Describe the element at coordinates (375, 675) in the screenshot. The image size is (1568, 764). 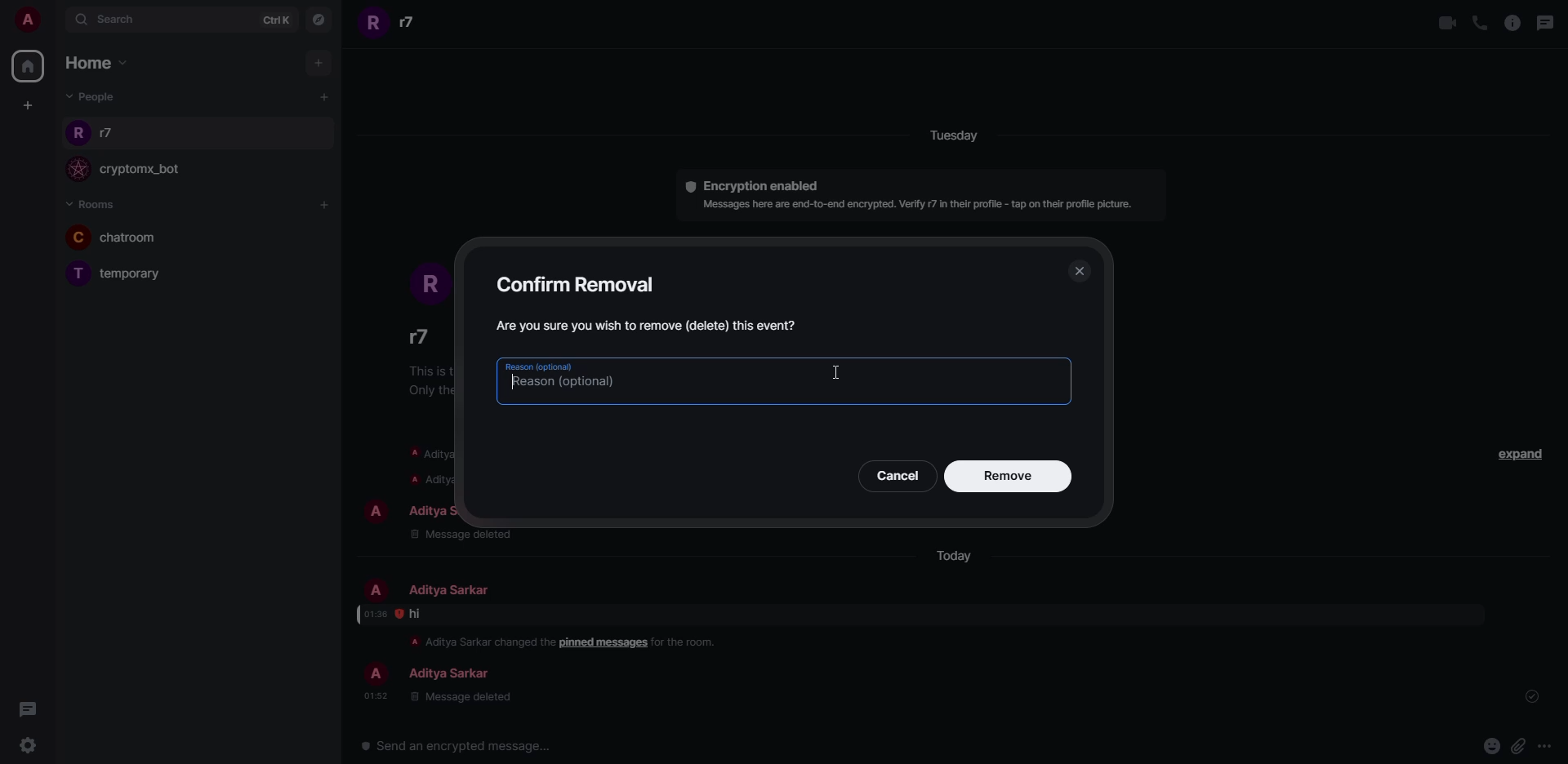
I see `profile` at that location.